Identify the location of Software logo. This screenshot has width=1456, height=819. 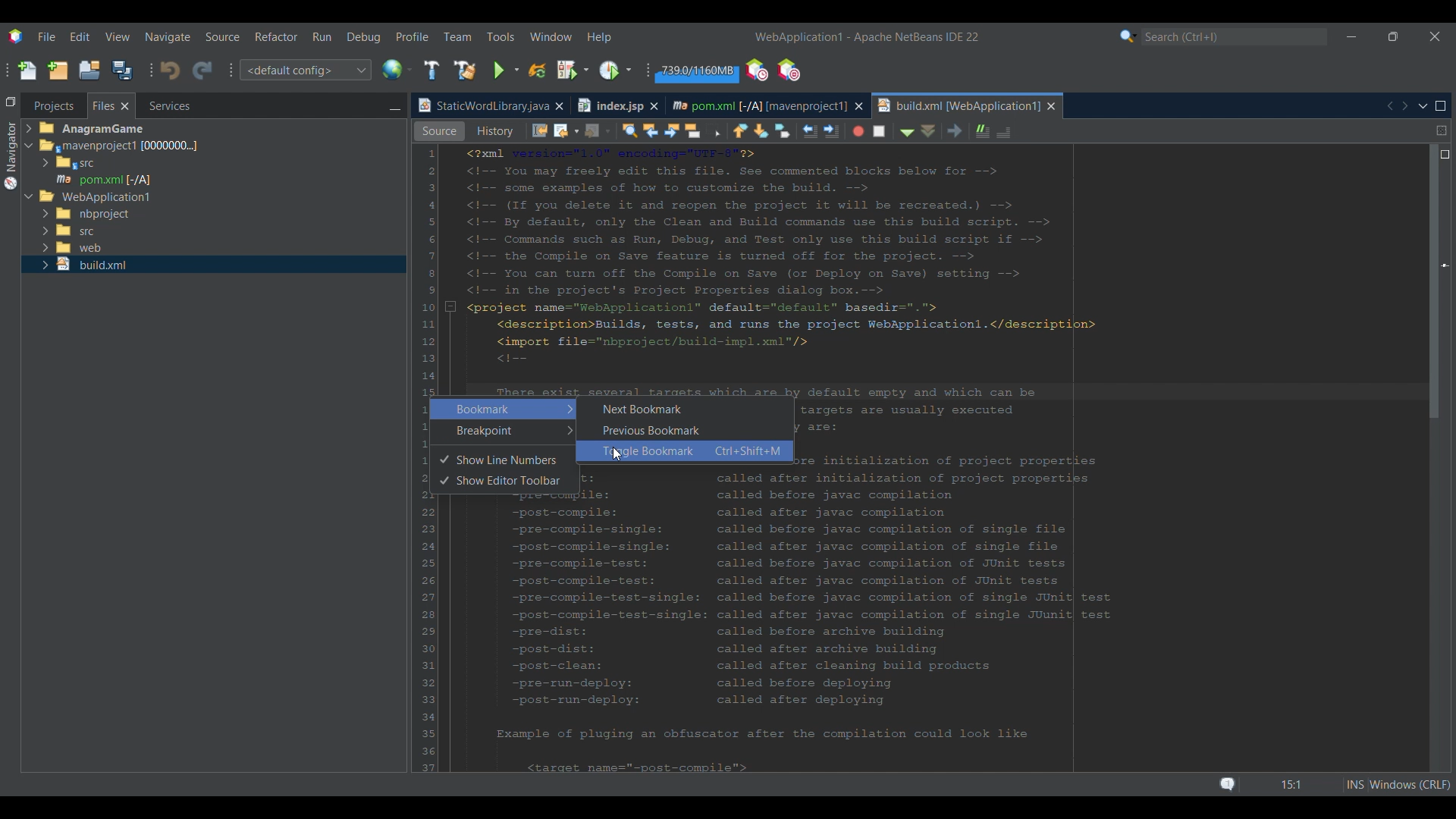
(16, 37).